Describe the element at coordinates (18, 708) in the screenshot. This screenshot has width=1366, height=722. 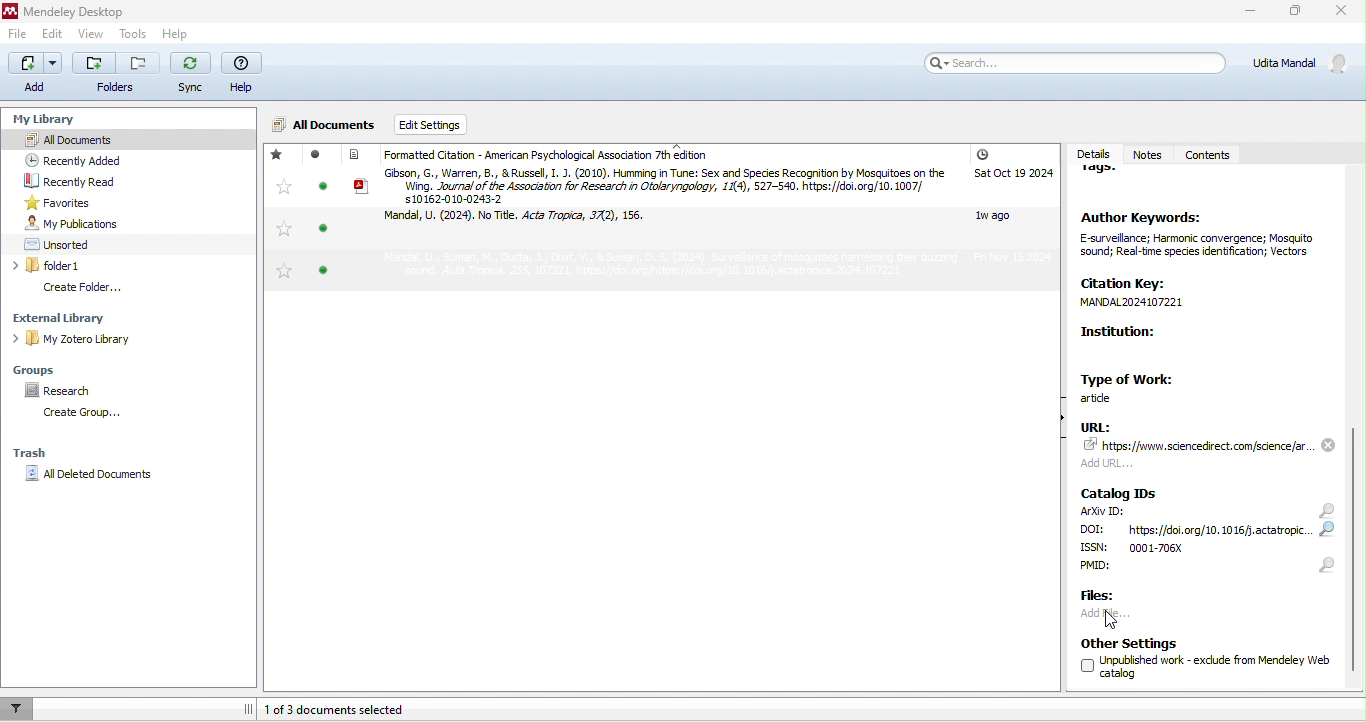
I see `filter` at that location.